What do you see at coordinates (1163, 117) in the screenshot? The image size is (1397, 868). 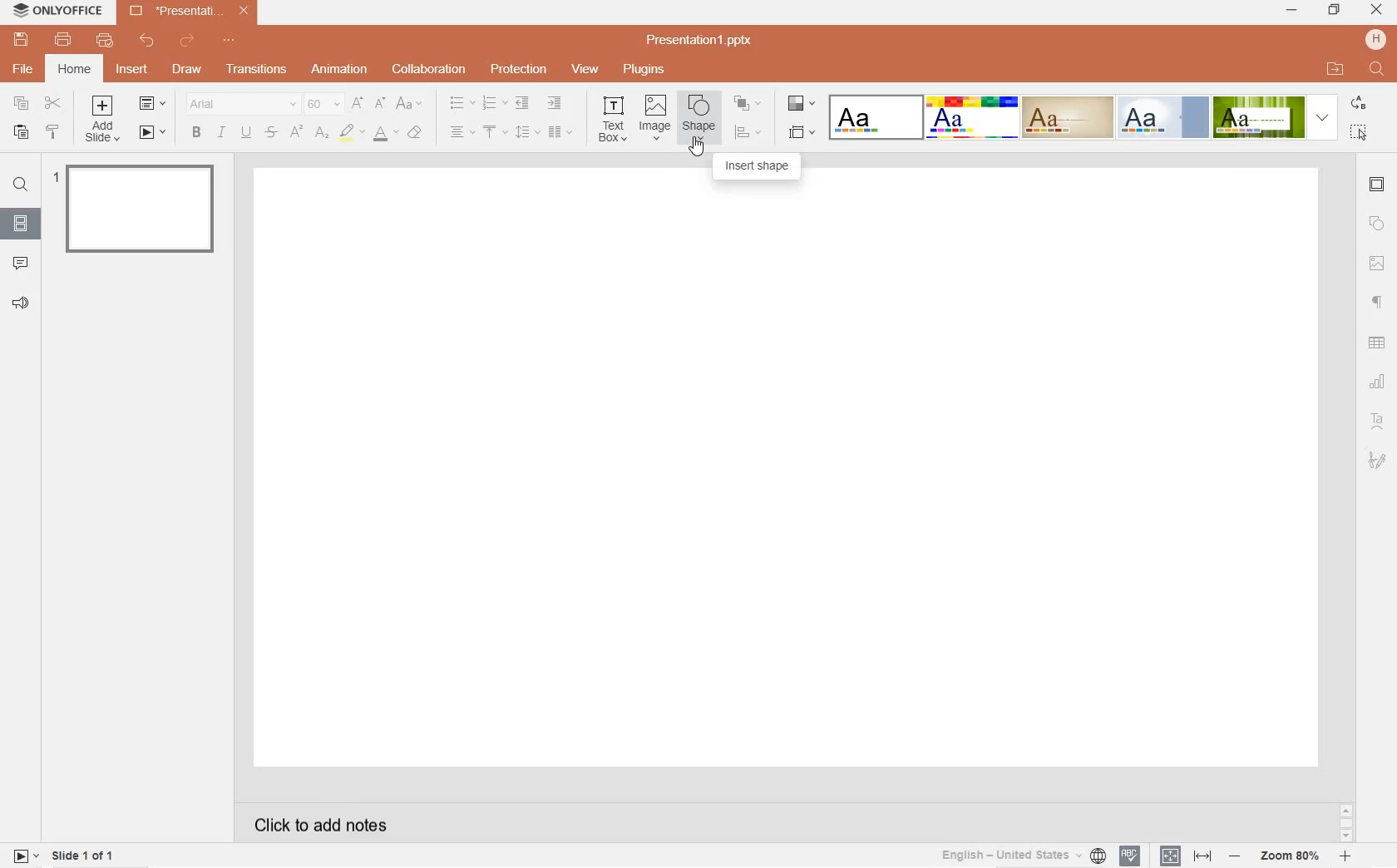 I see `Official` at bounding box center [1163, 117].